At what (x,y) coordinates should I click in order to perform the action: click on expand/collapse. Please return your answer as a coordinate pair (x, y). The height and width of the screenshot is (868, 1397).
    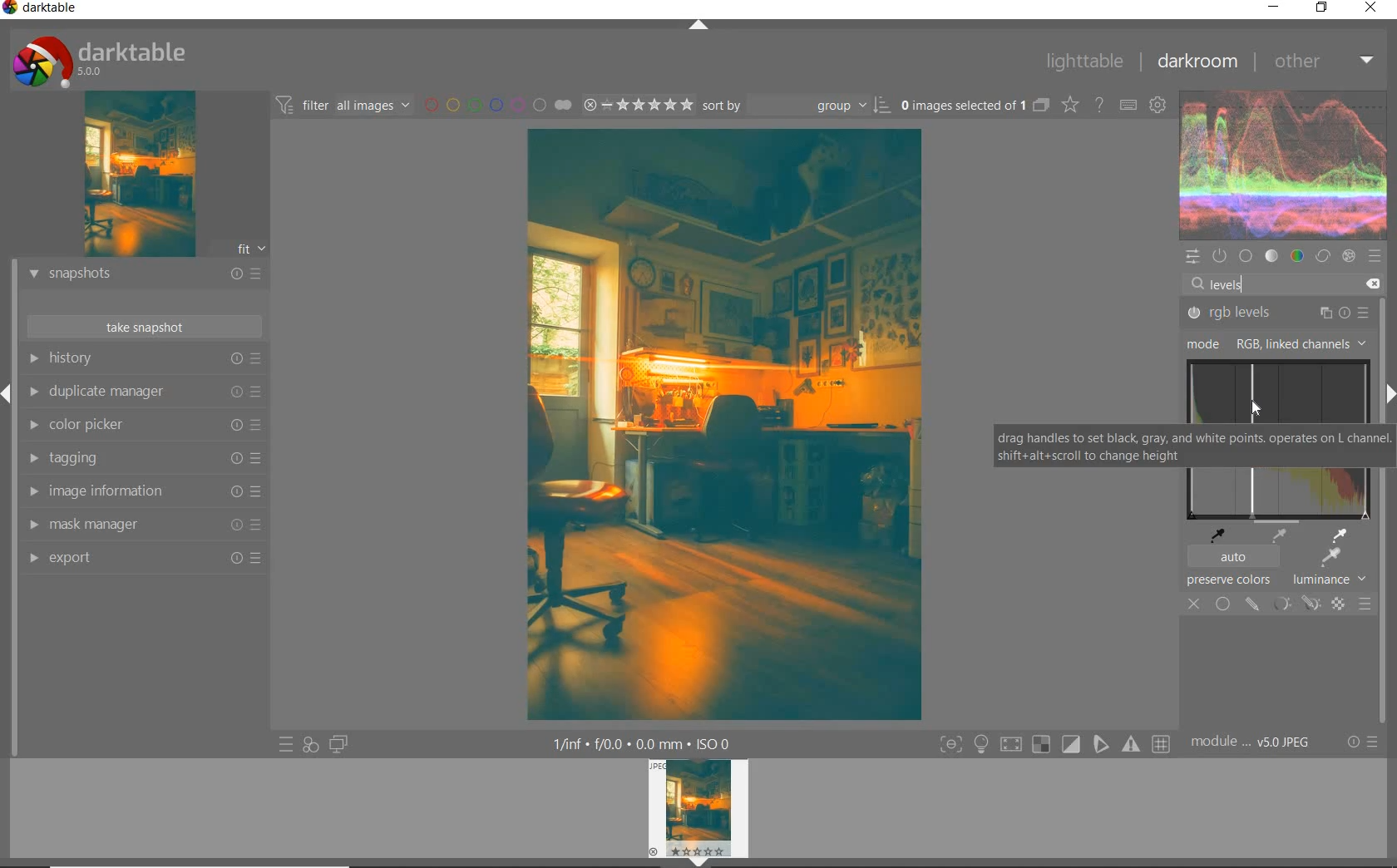
    Looking at the image, I should click on (698, 26).